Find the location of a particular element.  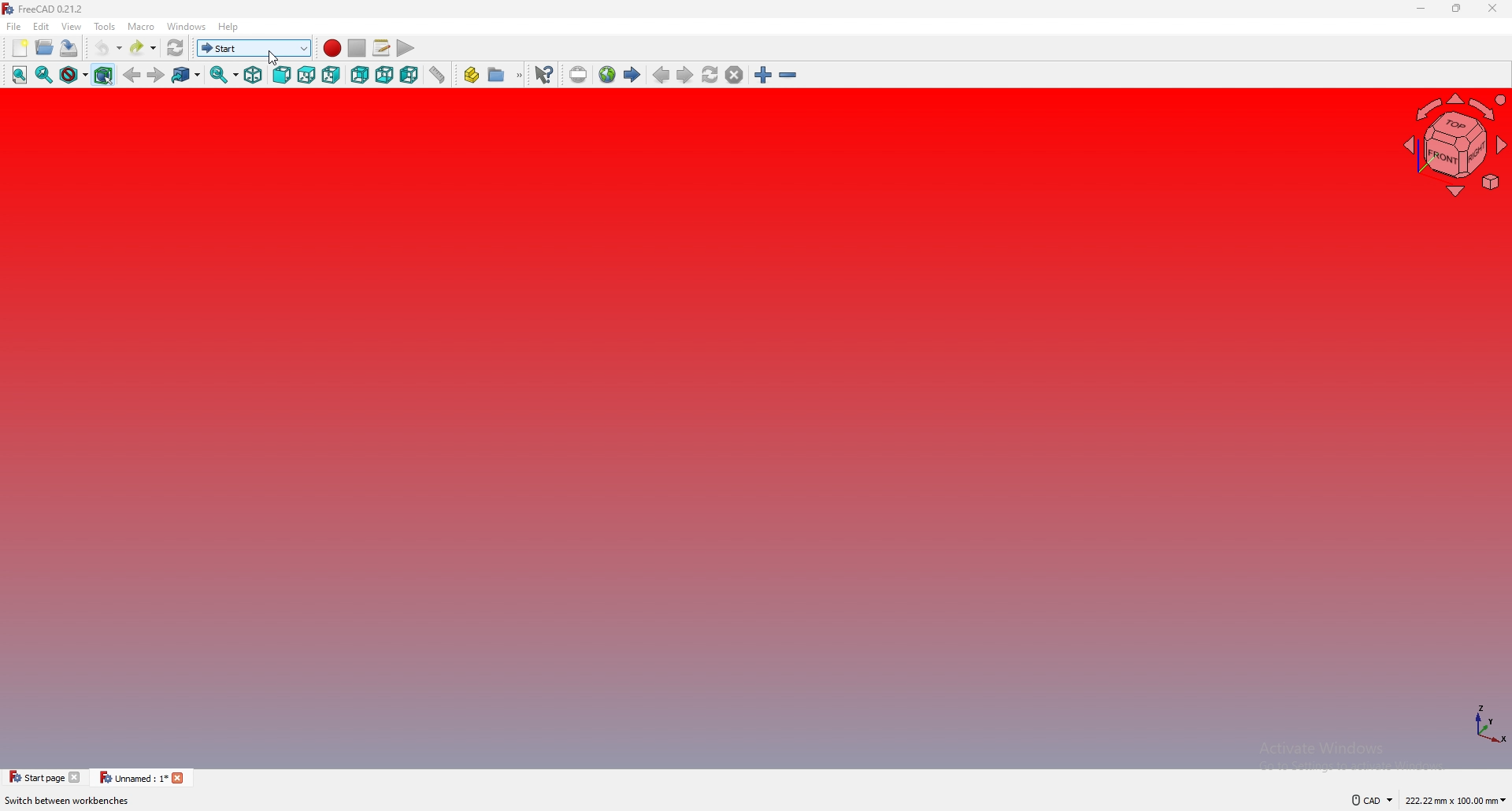

tab 2 is located at coordinates (143, 779).